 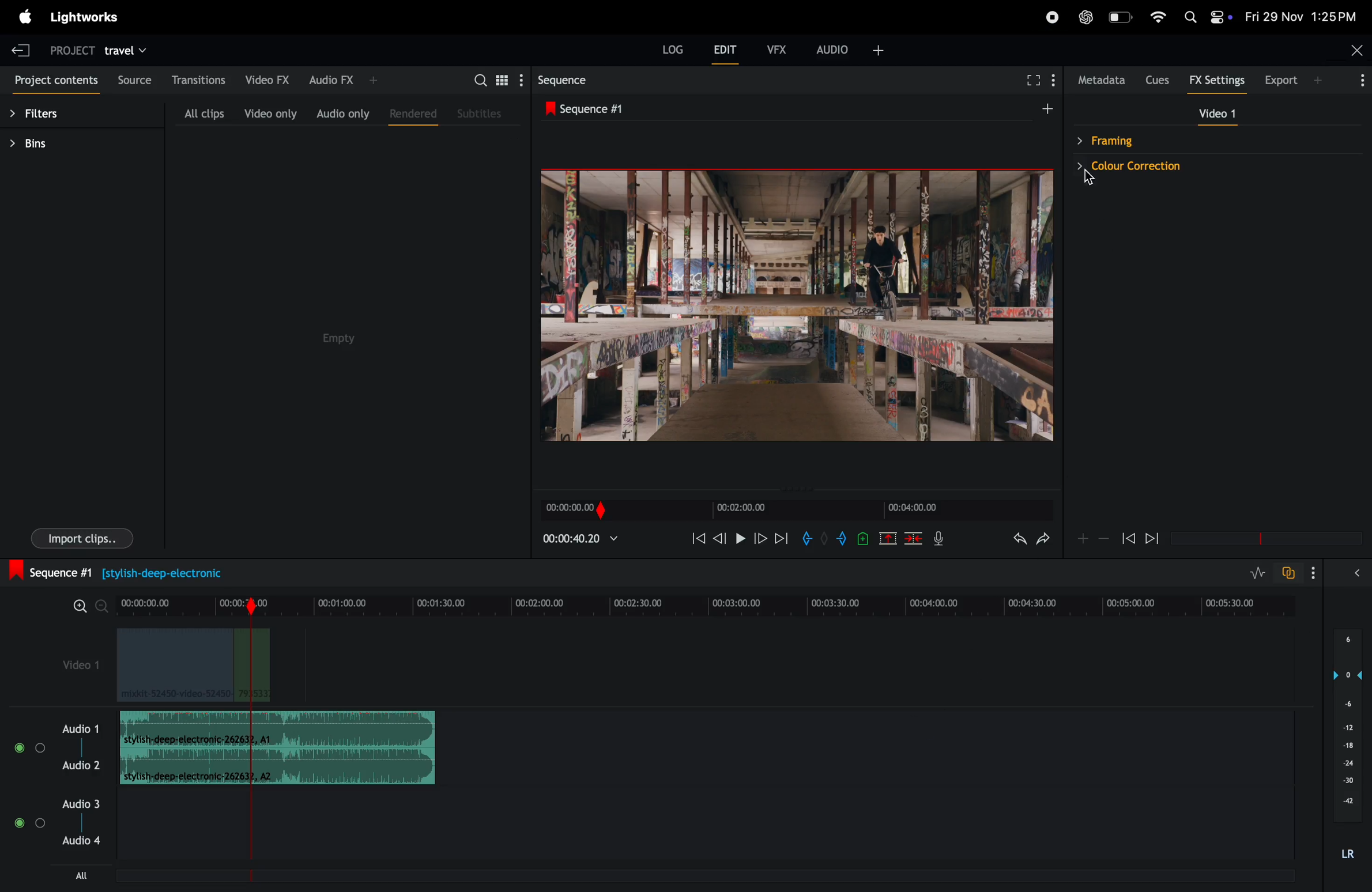 What do you see at coordinates (777, 48) in the screenshot?
I see `vfx` at bounding box center [777, 48].